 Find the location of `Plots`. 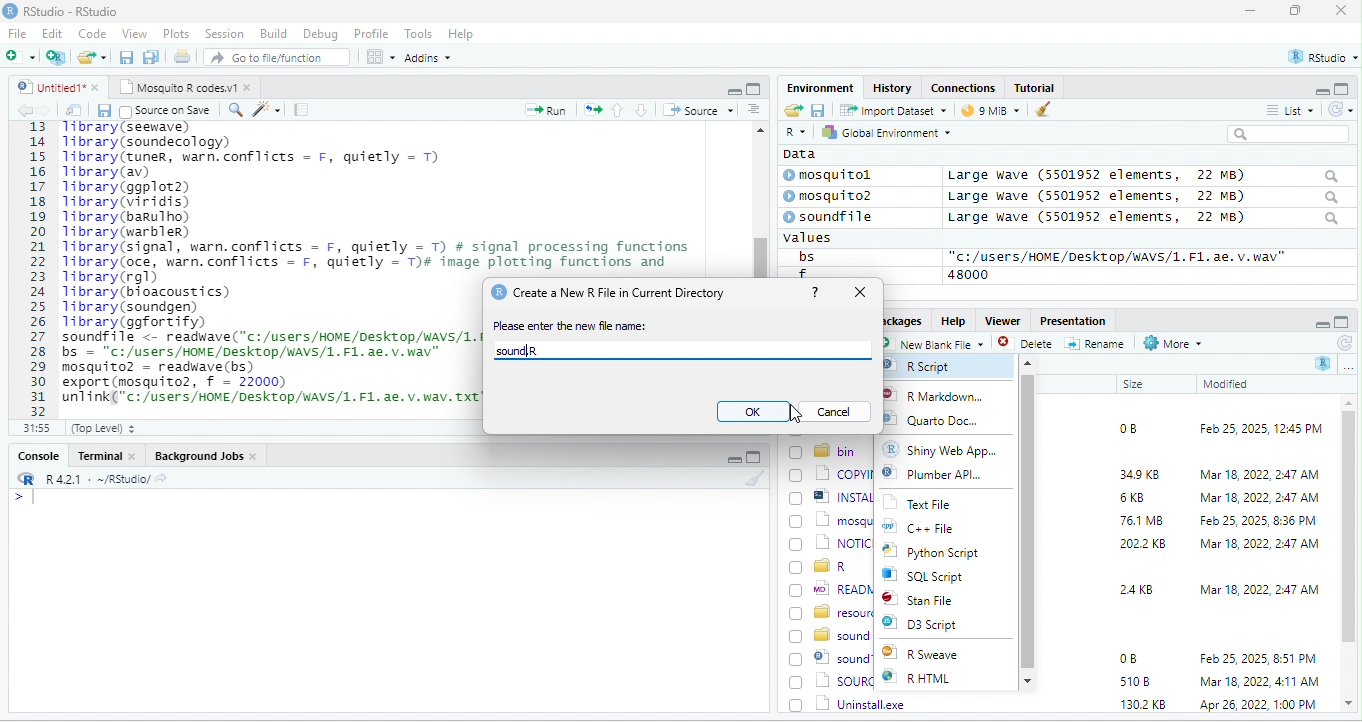

Plots is located at coordinates (177, 33).